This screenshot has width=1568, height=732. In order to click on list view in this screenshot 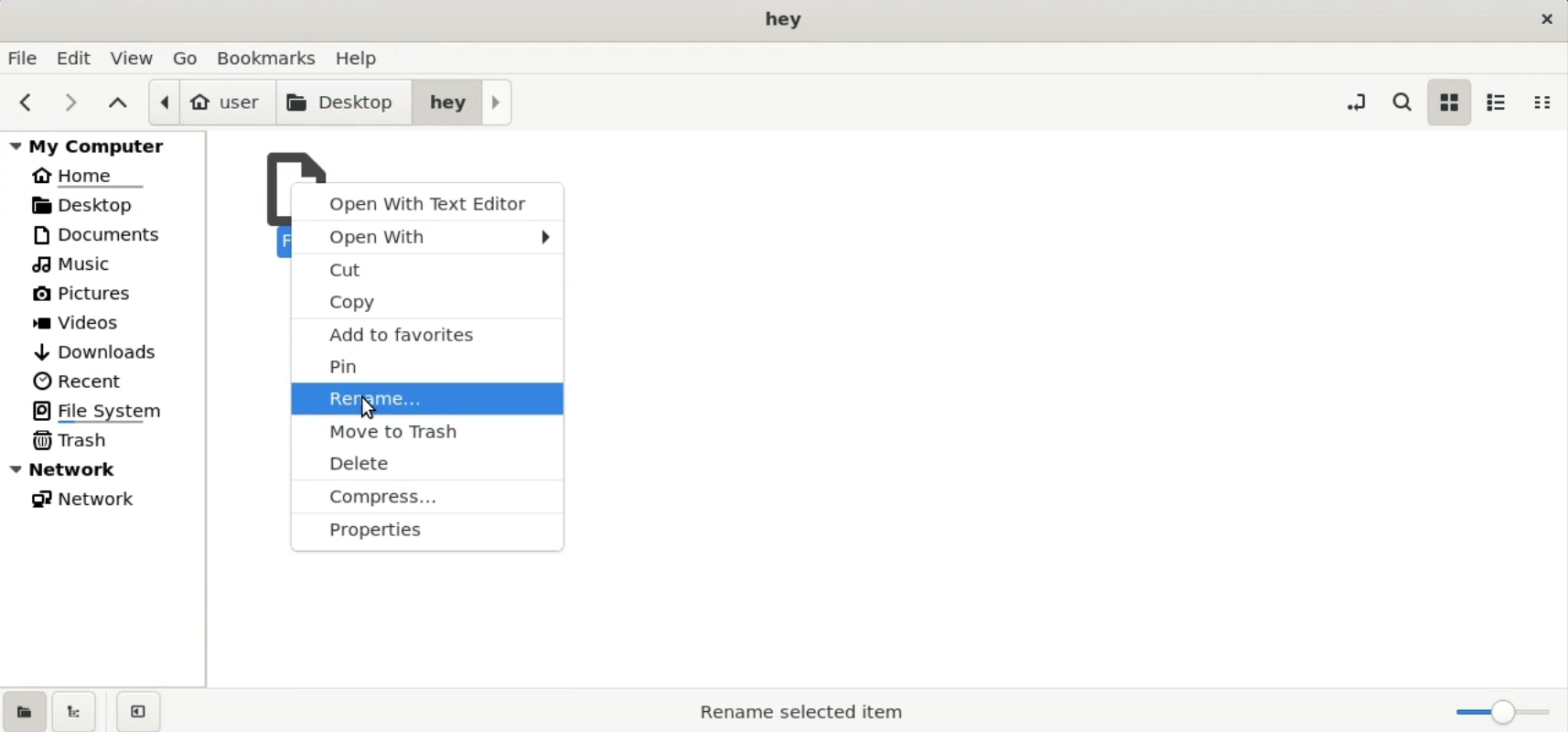, I will do `click(1497, 102)`.